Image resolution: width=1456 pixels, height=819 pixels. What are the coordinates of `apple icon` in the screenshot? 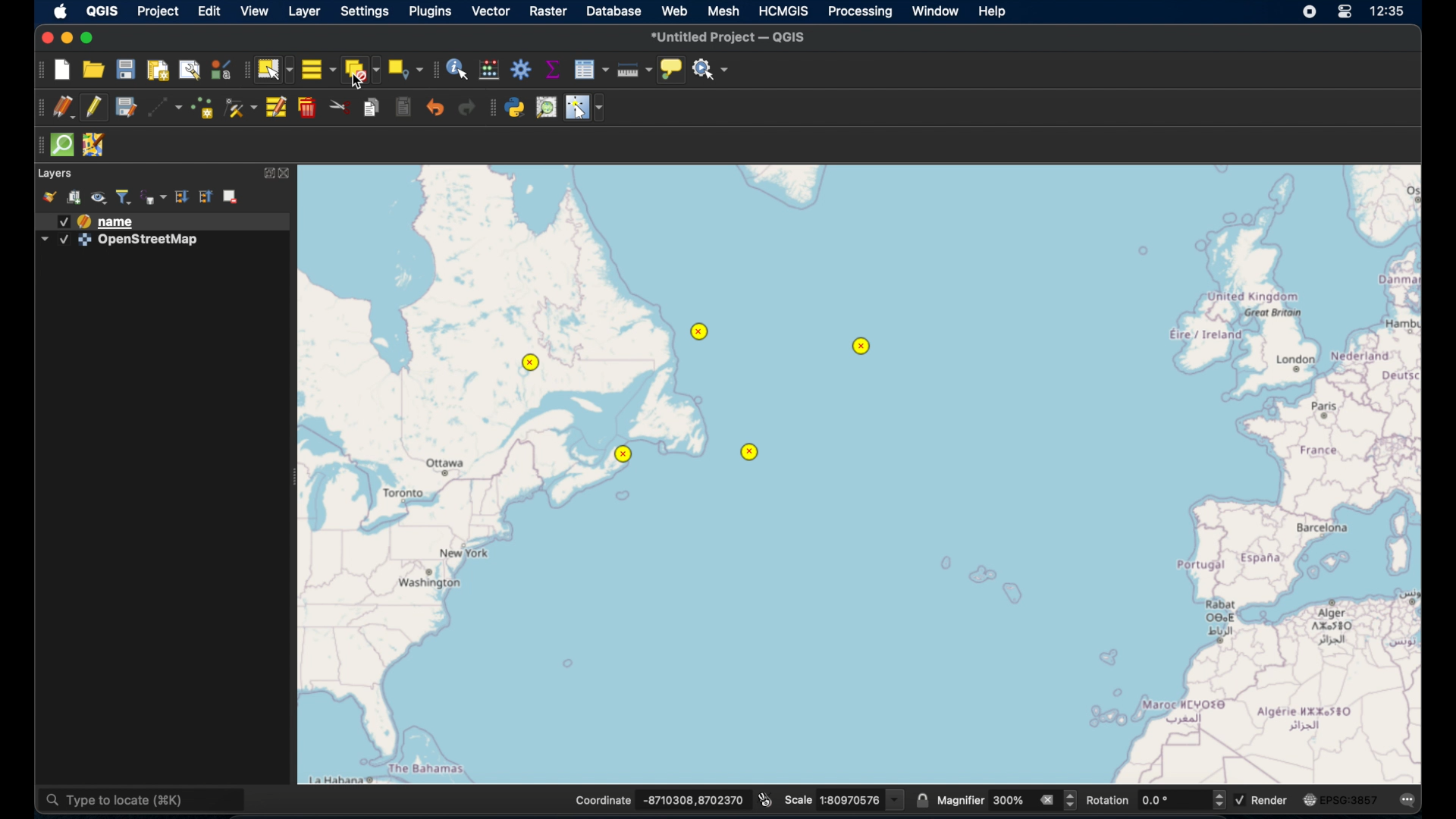 It's located at (60, 11).